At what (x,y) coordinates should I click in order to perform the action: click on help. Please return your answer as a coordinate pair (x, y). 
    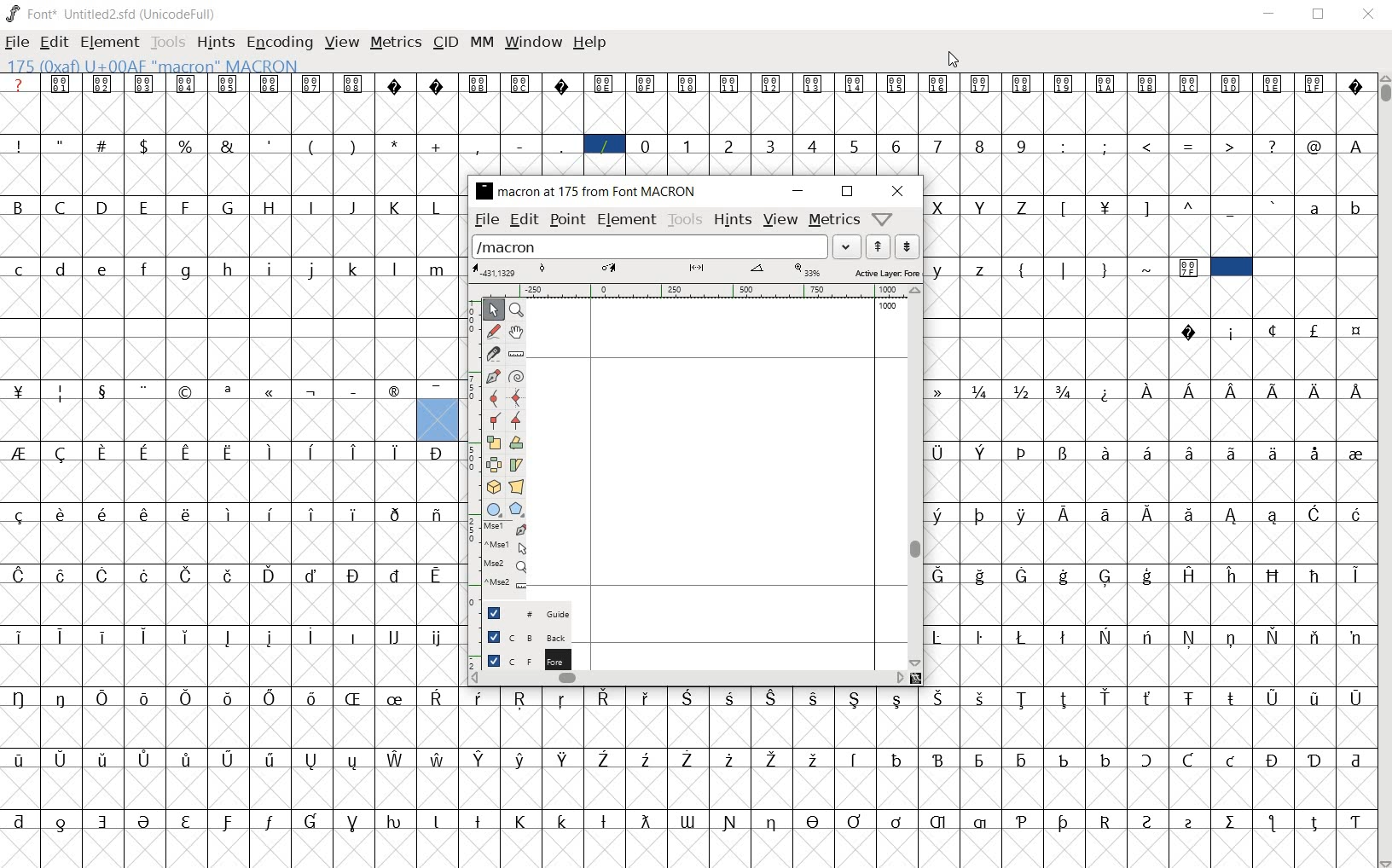
    Looking at the image, I should click on (883, 218).